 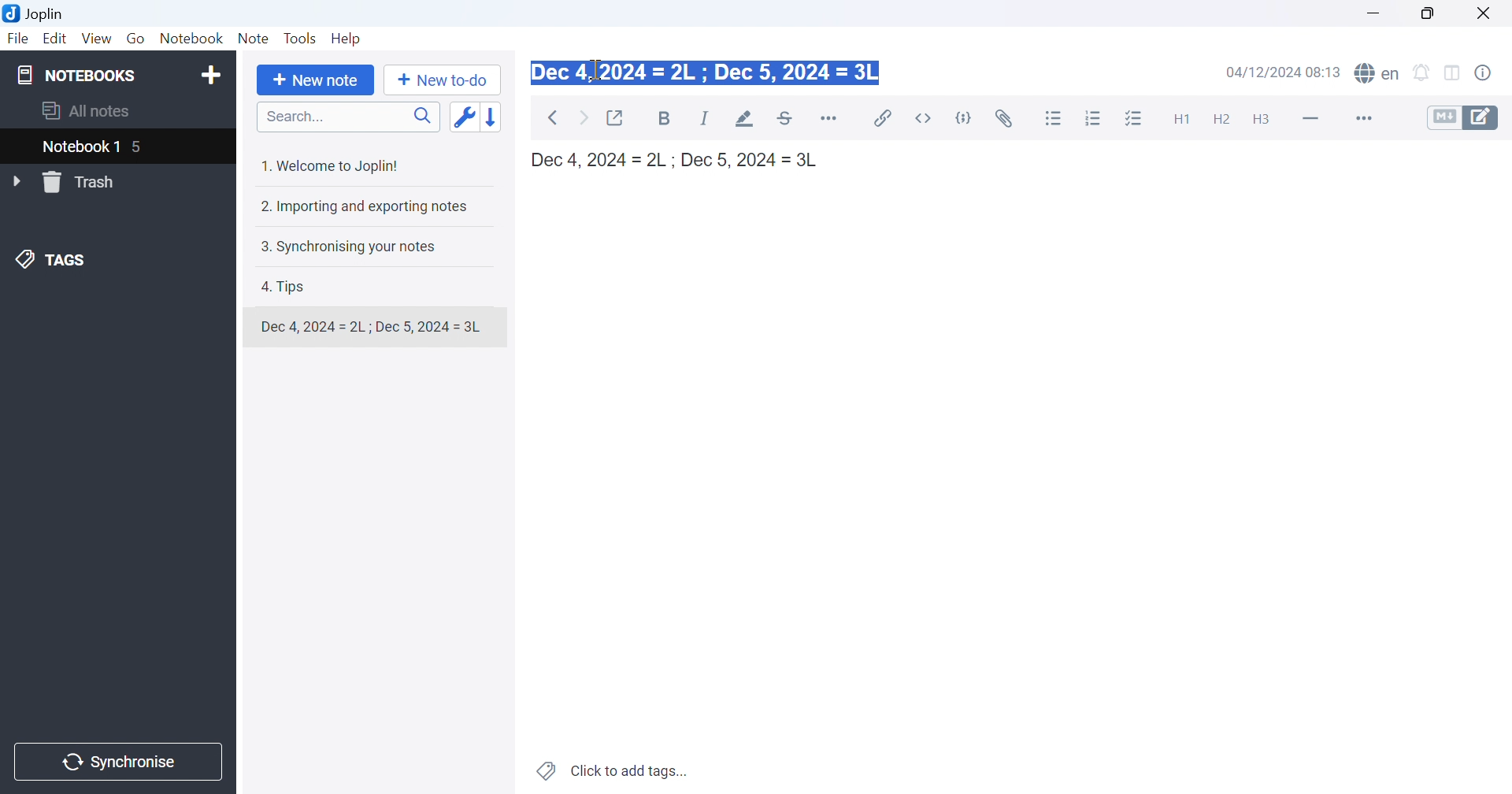 What do you see at coordinates (91, 110) in the screenshot?
I see `All notes` at bounding box center [91, 110].